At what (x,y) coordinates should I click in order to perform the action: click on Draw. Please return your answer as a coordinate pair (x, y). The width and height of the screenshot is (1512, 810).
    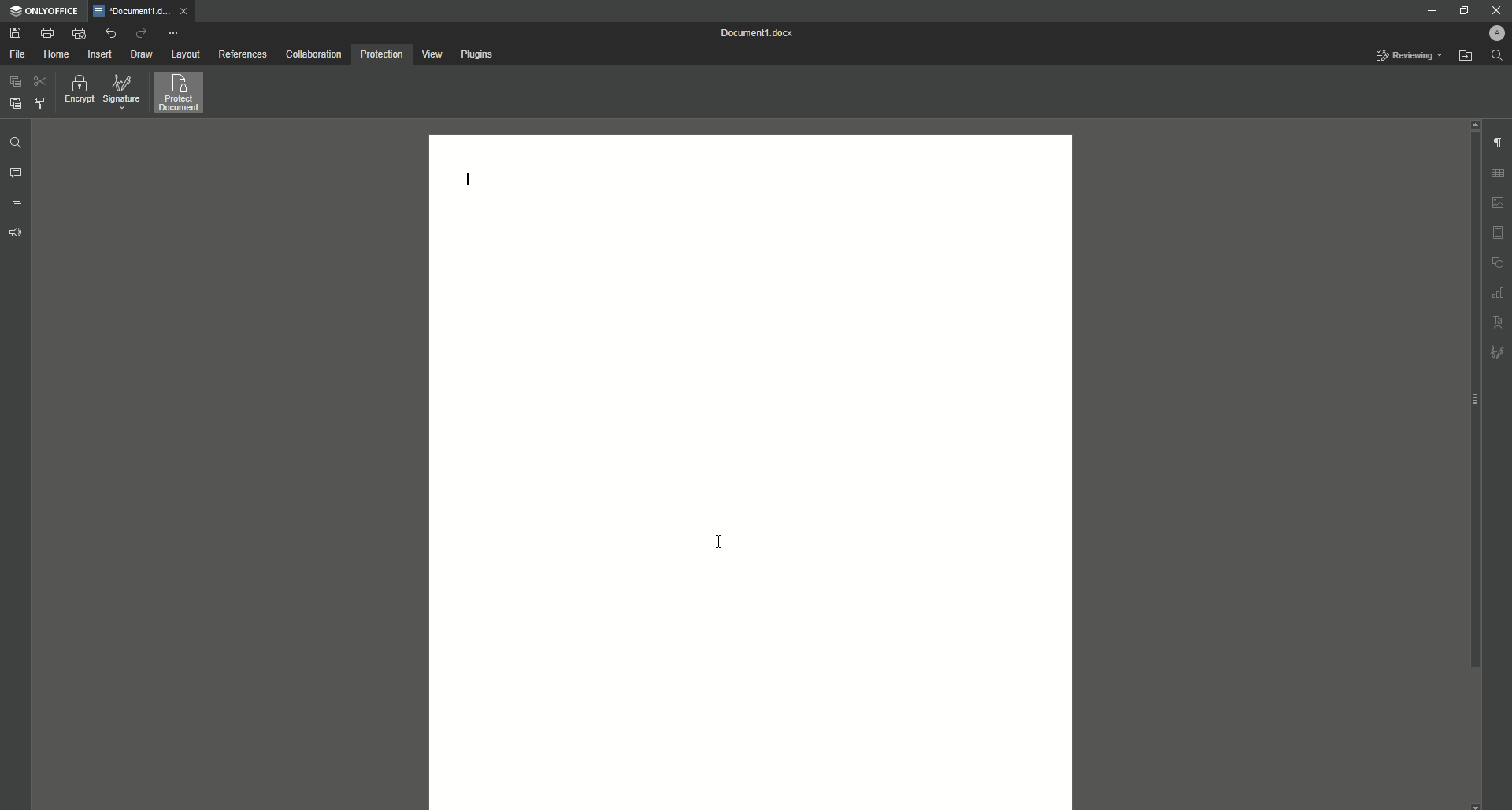
    Looking at the image, I should click on (143, 54).